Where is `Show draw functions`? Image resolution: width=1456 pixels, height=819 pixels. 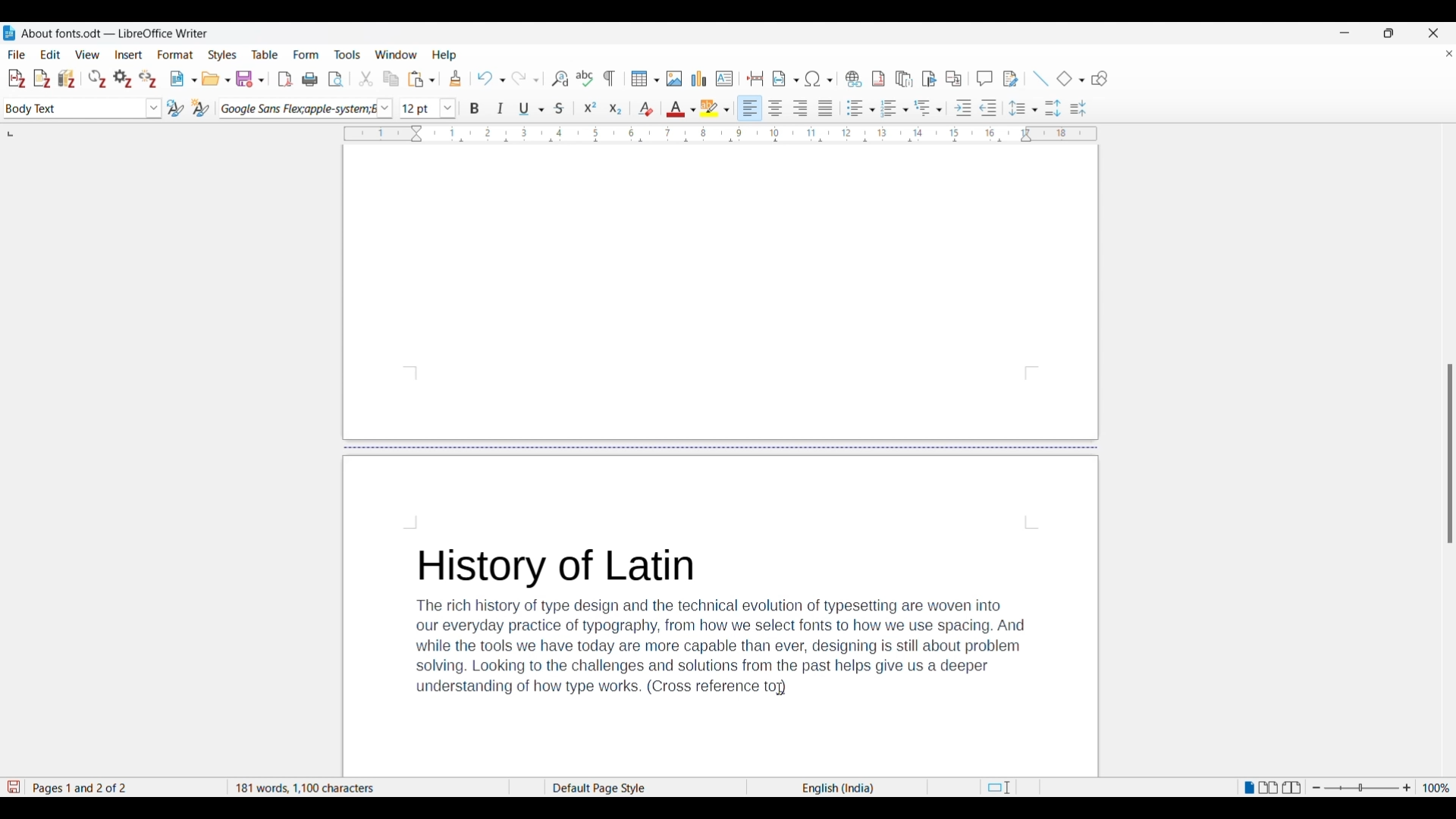
Show draw functions is located at coordinates (1100, 79).